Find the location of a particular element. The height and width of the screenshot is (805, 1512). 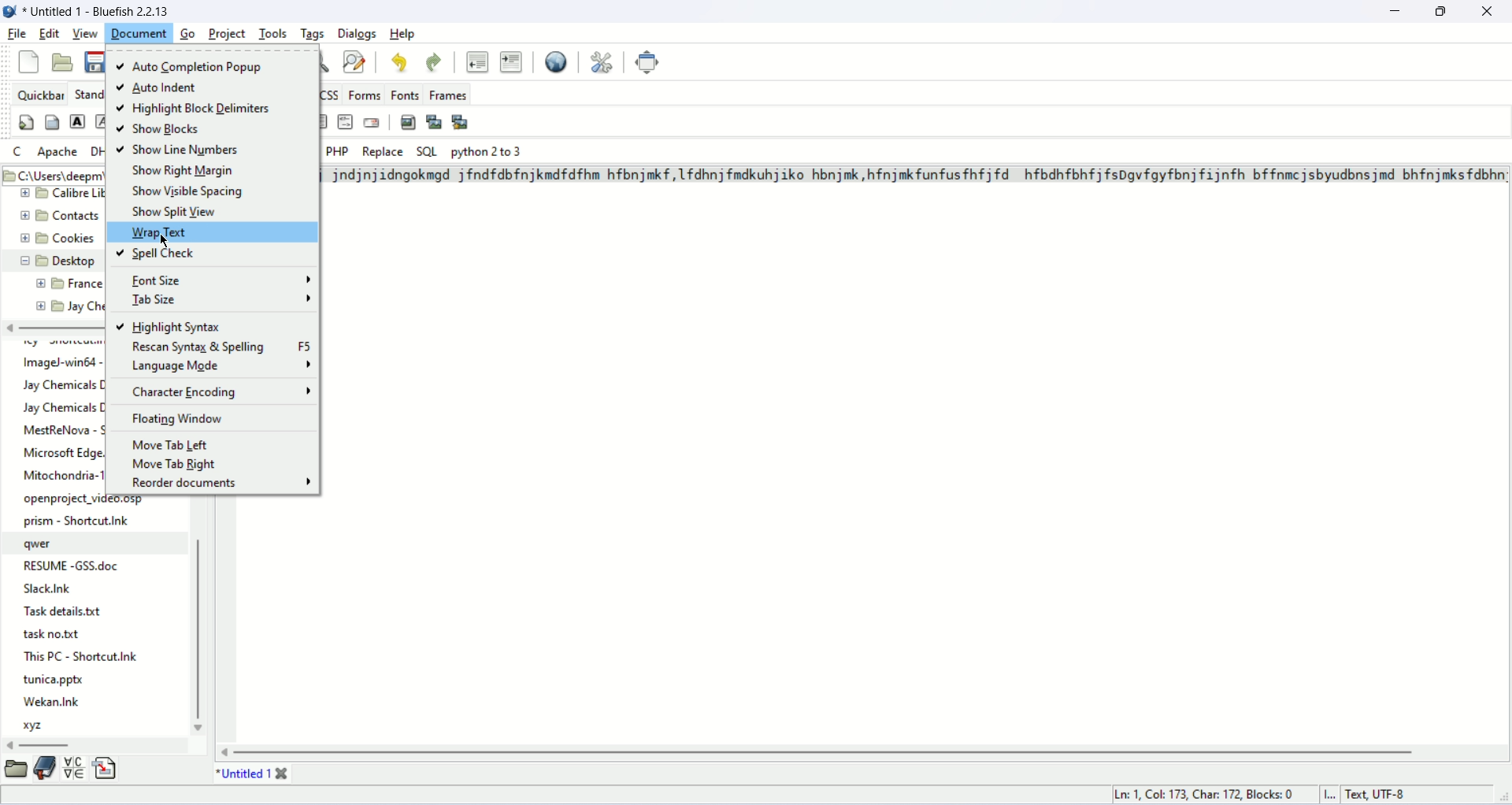

pyhton 2 to 3 is located at coordinates (488, 152).